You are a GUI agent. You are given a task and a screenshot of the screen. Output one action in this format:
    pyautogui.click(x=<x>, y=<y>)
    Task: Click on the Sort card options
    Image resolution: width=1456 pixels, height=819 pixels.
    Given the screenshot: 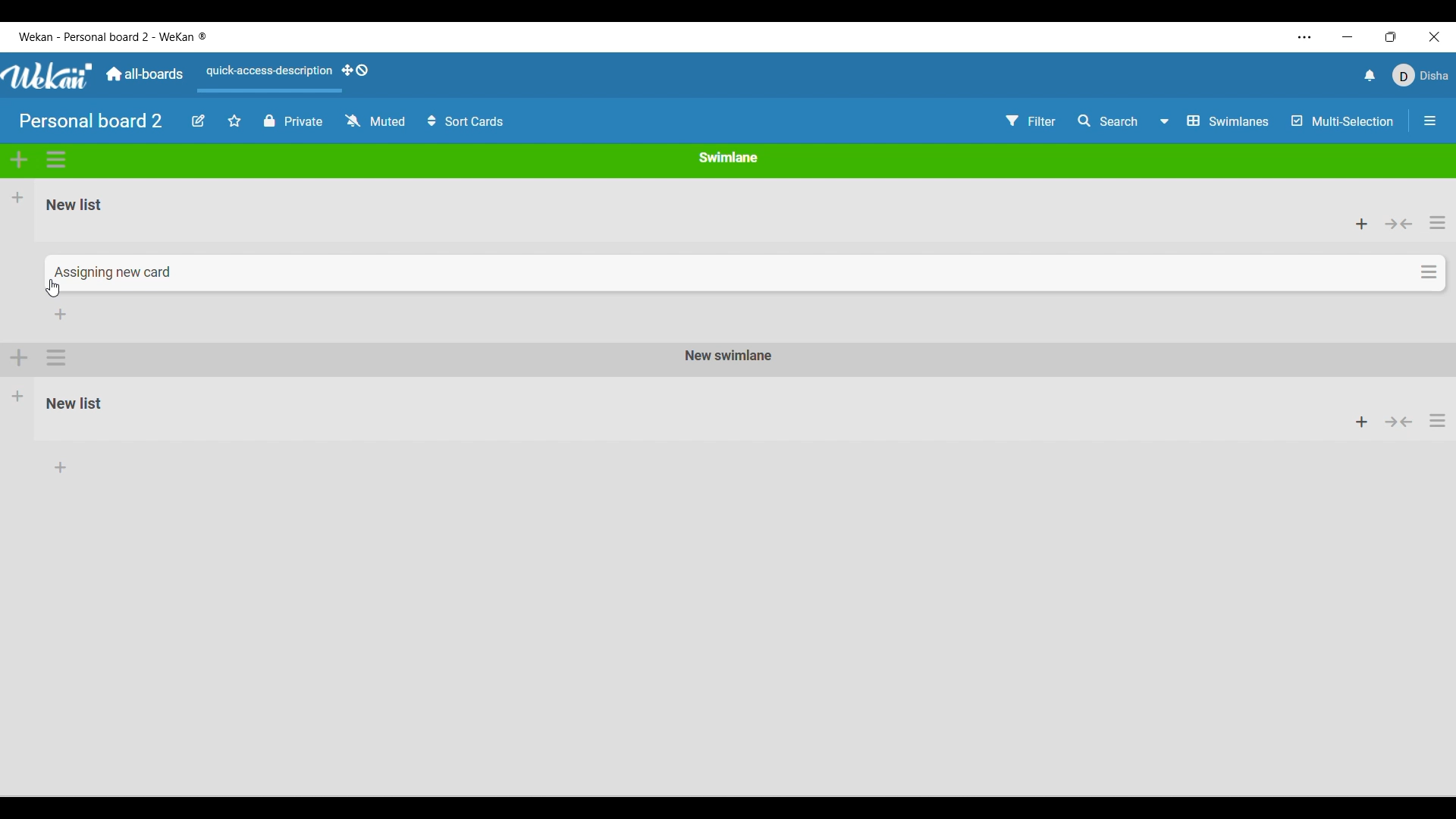 What is the action you would take?
    pyautogui.click(x=466, y=121)
    